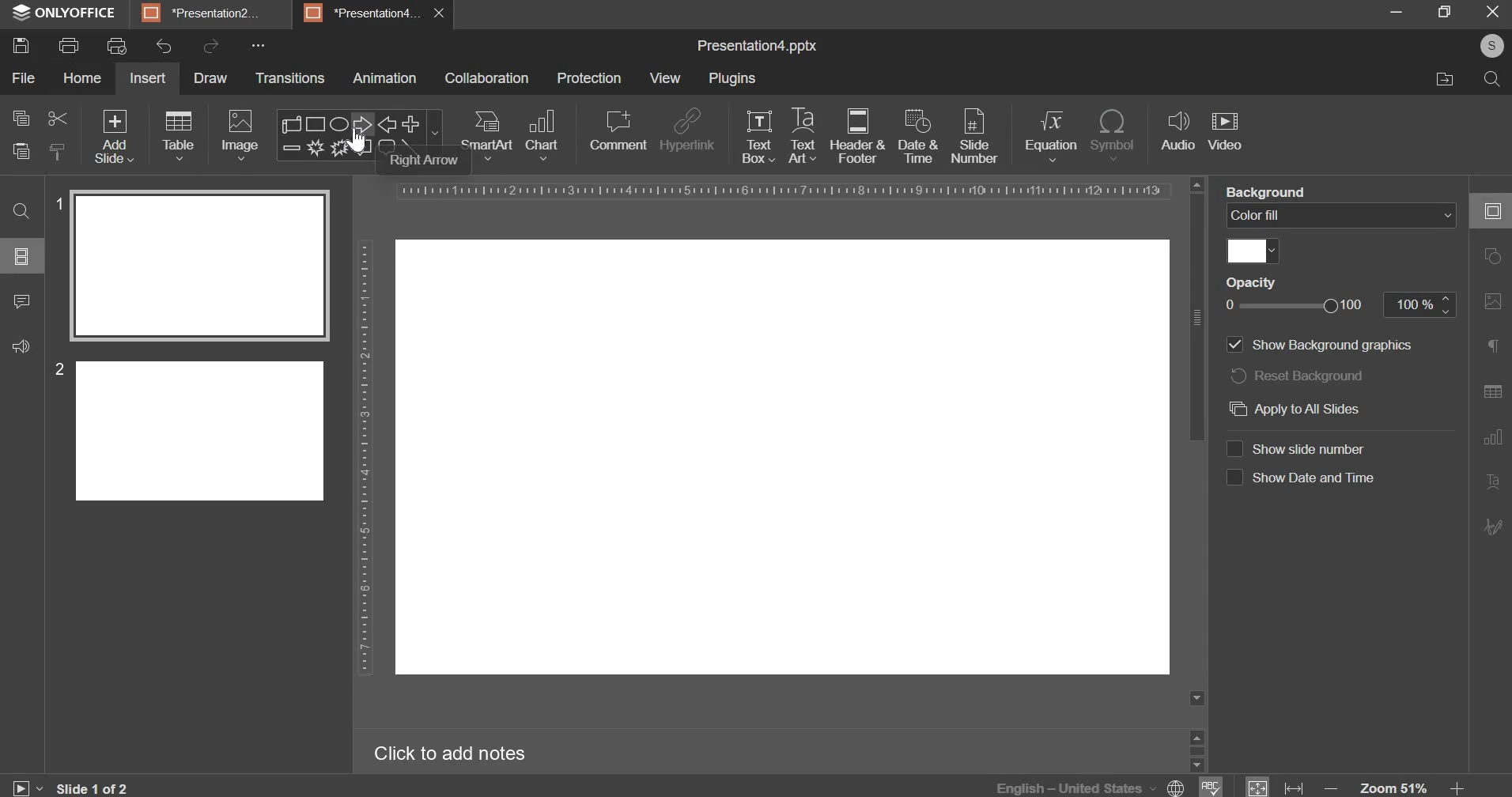 Image resolution: width=1512 pixels, height=797 pixels. Describe the element at coordinates (376, 13) in the screenshot. I see `BE Presentations. x` at that location.